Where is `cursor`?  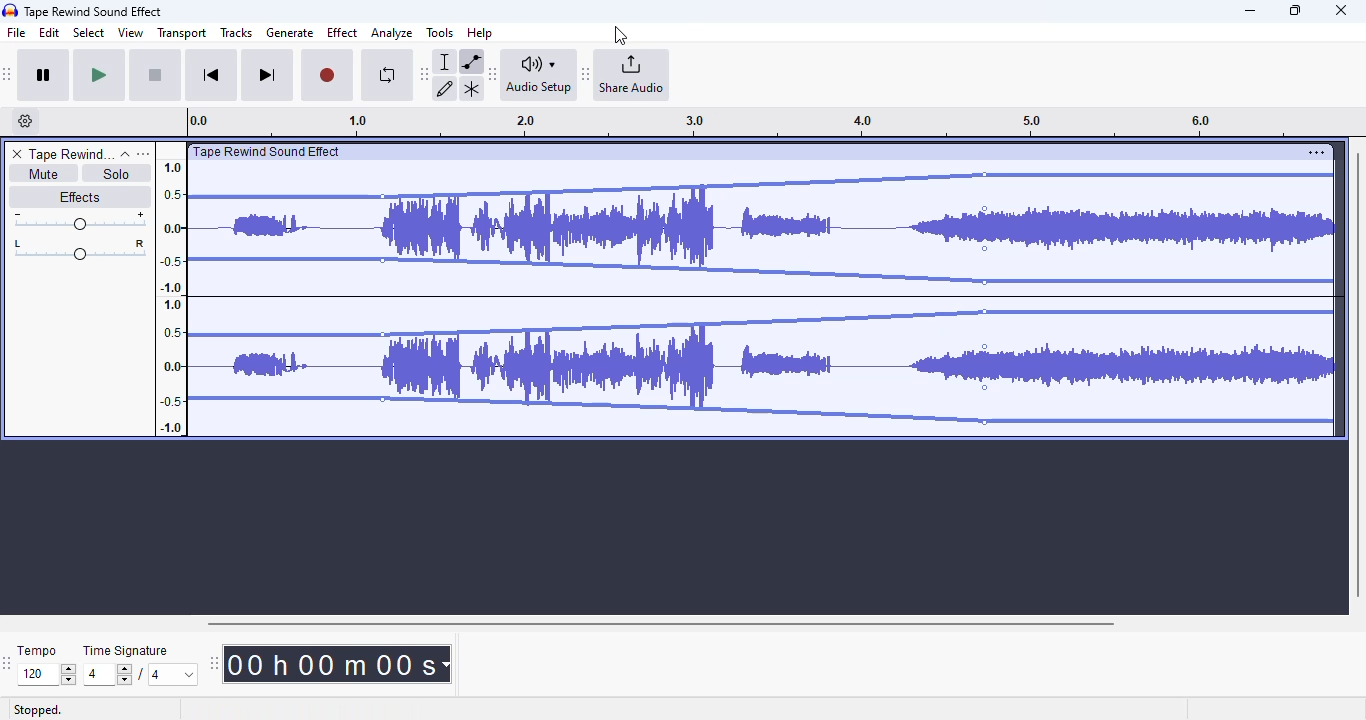 cursor is located at coordinates (621, 37).